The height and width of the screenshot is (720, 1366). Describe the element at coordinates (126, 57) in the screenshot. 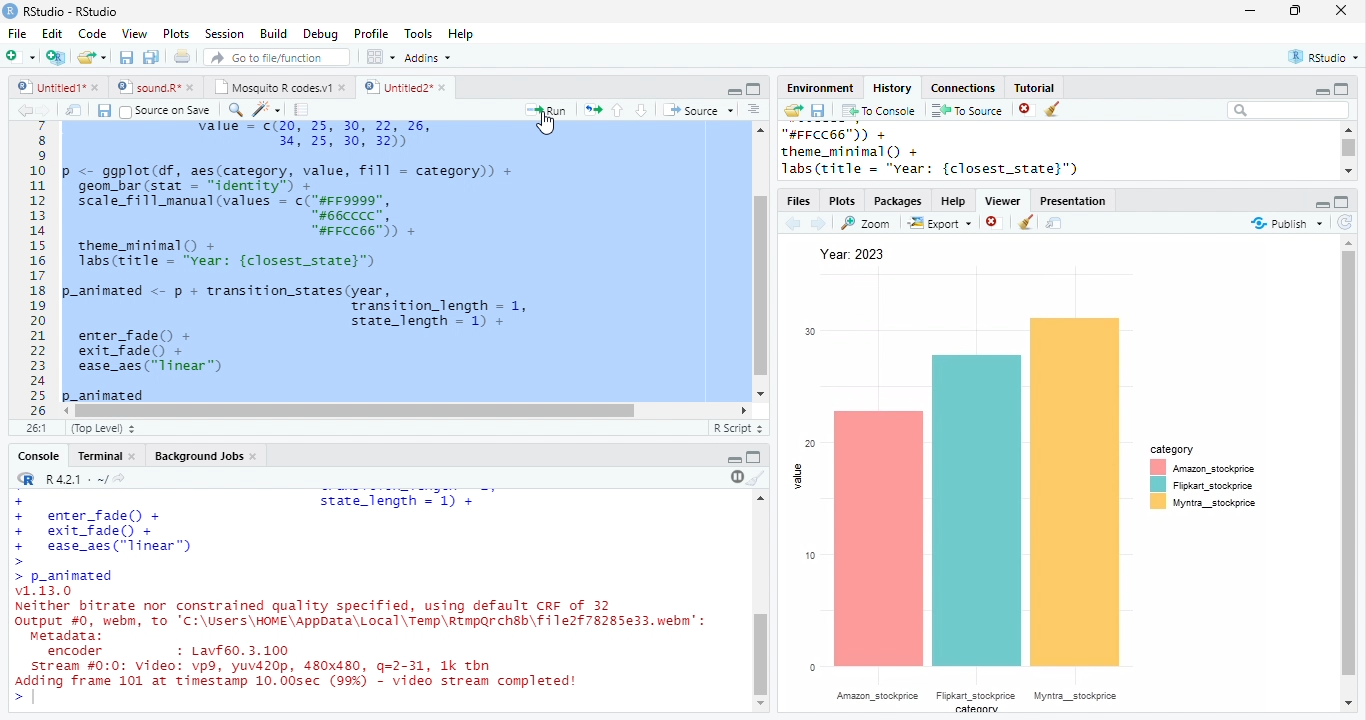

I see `save` at that location.